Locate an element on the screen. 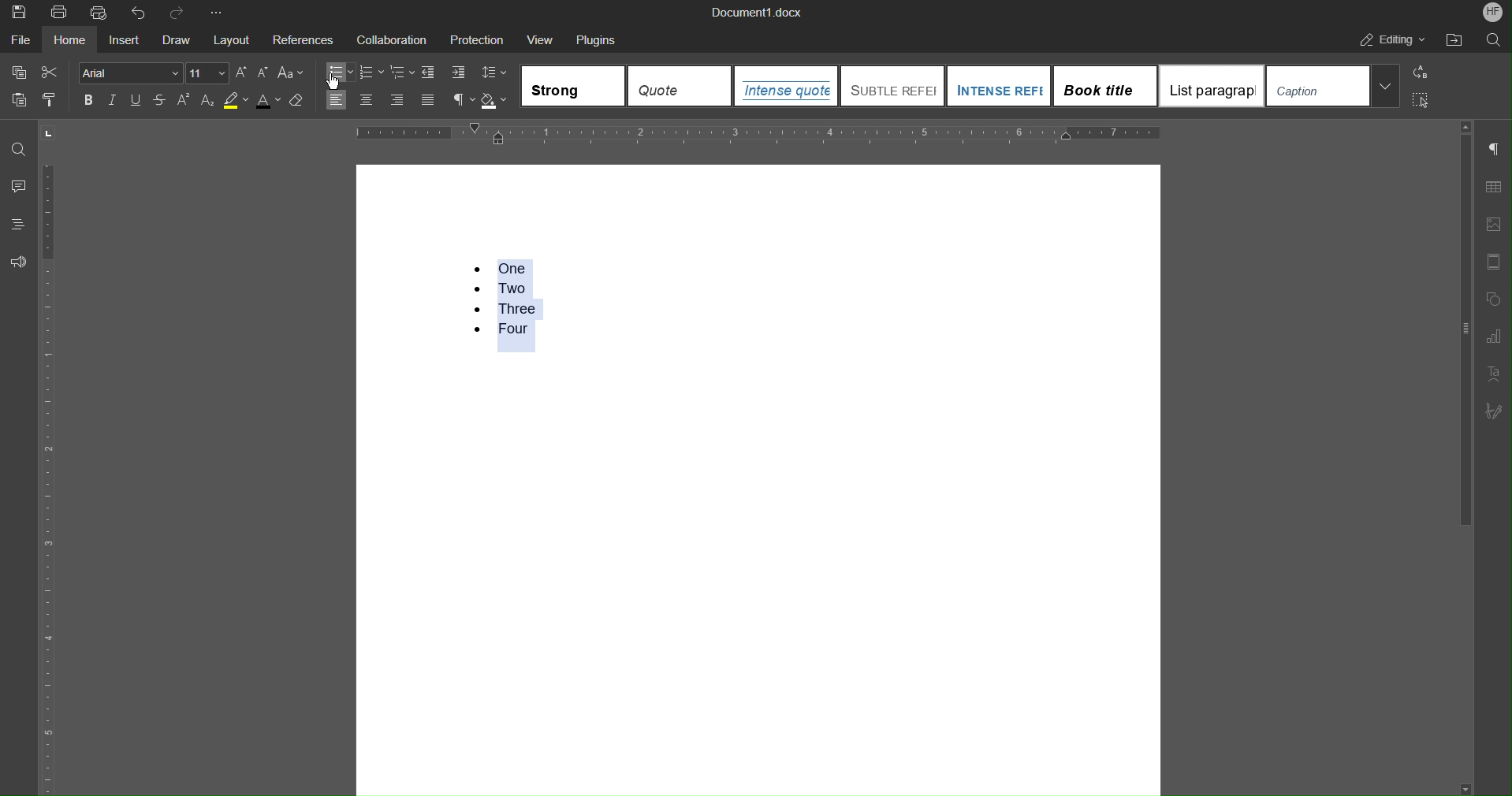 This screenshot has height=796, width=1512. View is located at coordinates (542, 38).